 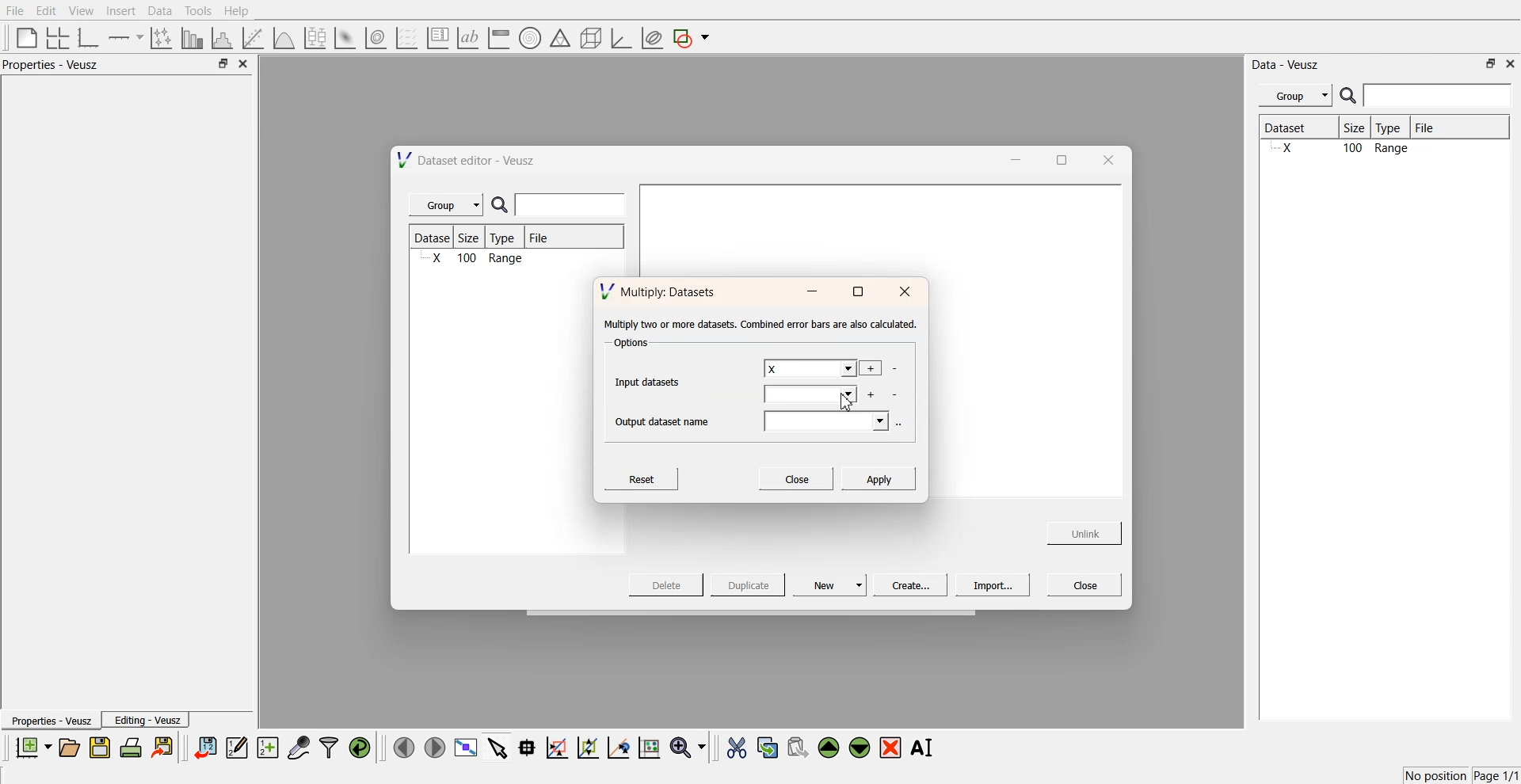 What do you see at coordinates (586, 747) in the screenshot?
I see `zoom out the graph axes` at bounding box center [586, 747].